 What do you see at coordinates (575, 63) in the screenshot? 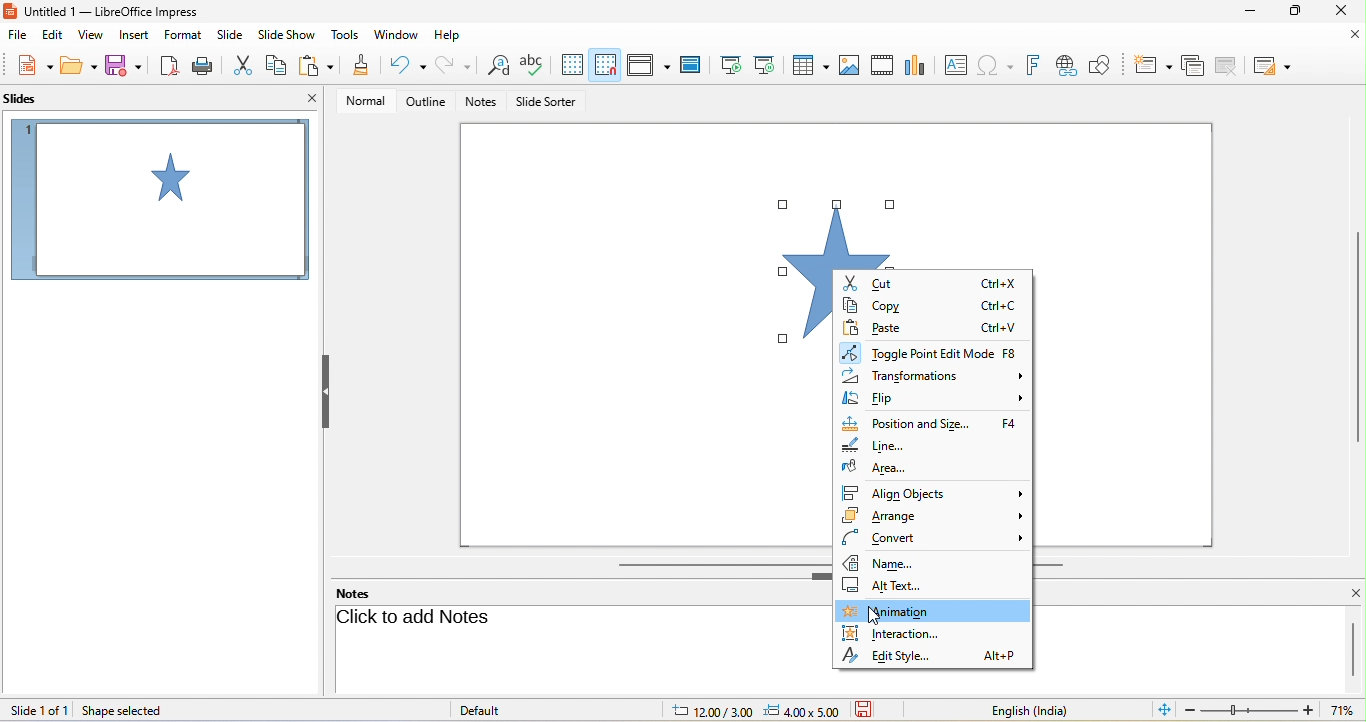
I see `display to grid` at bounding box center [575, 63].